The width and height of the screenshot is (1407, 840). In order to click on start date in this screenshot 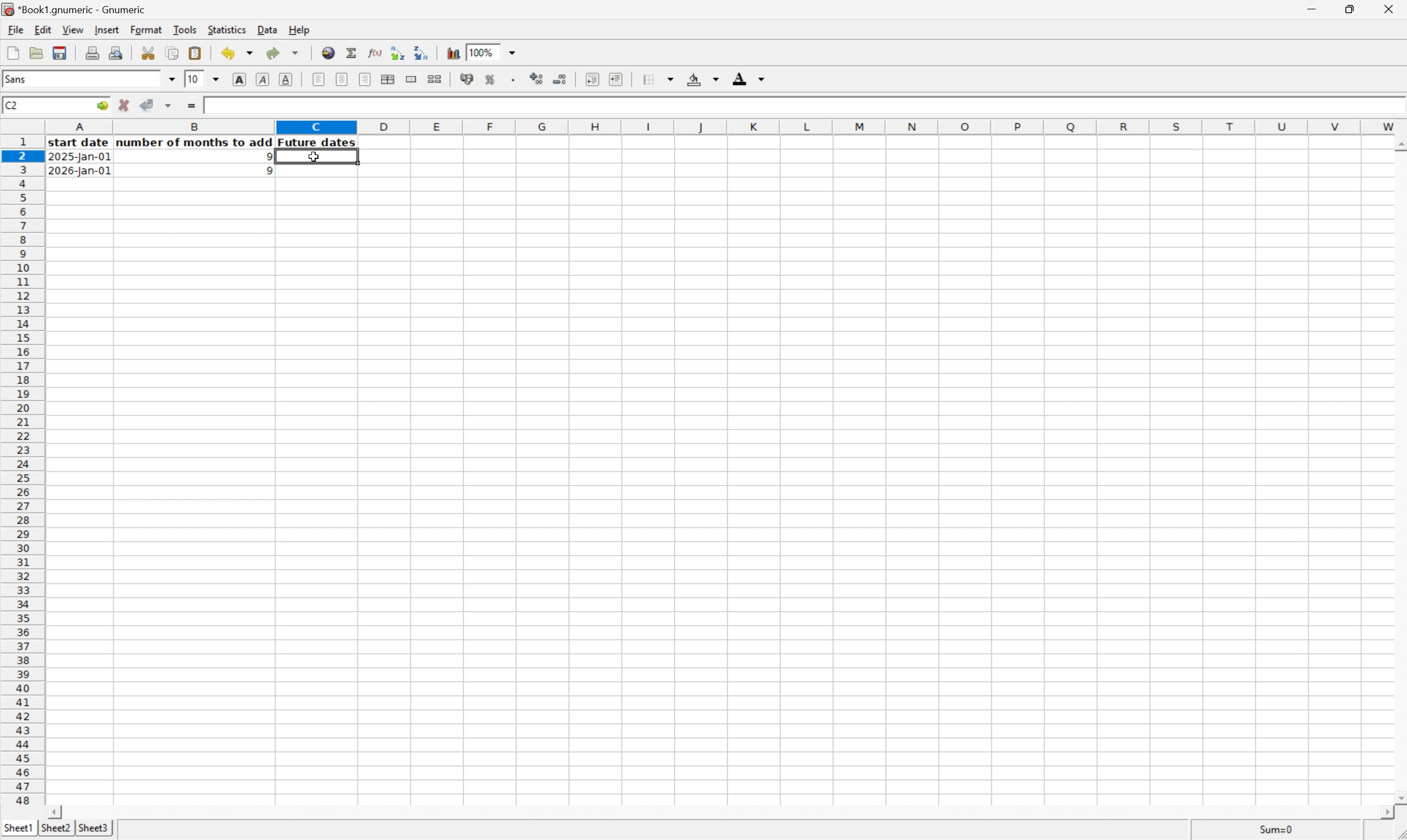, I will do `click(80, 143)`.